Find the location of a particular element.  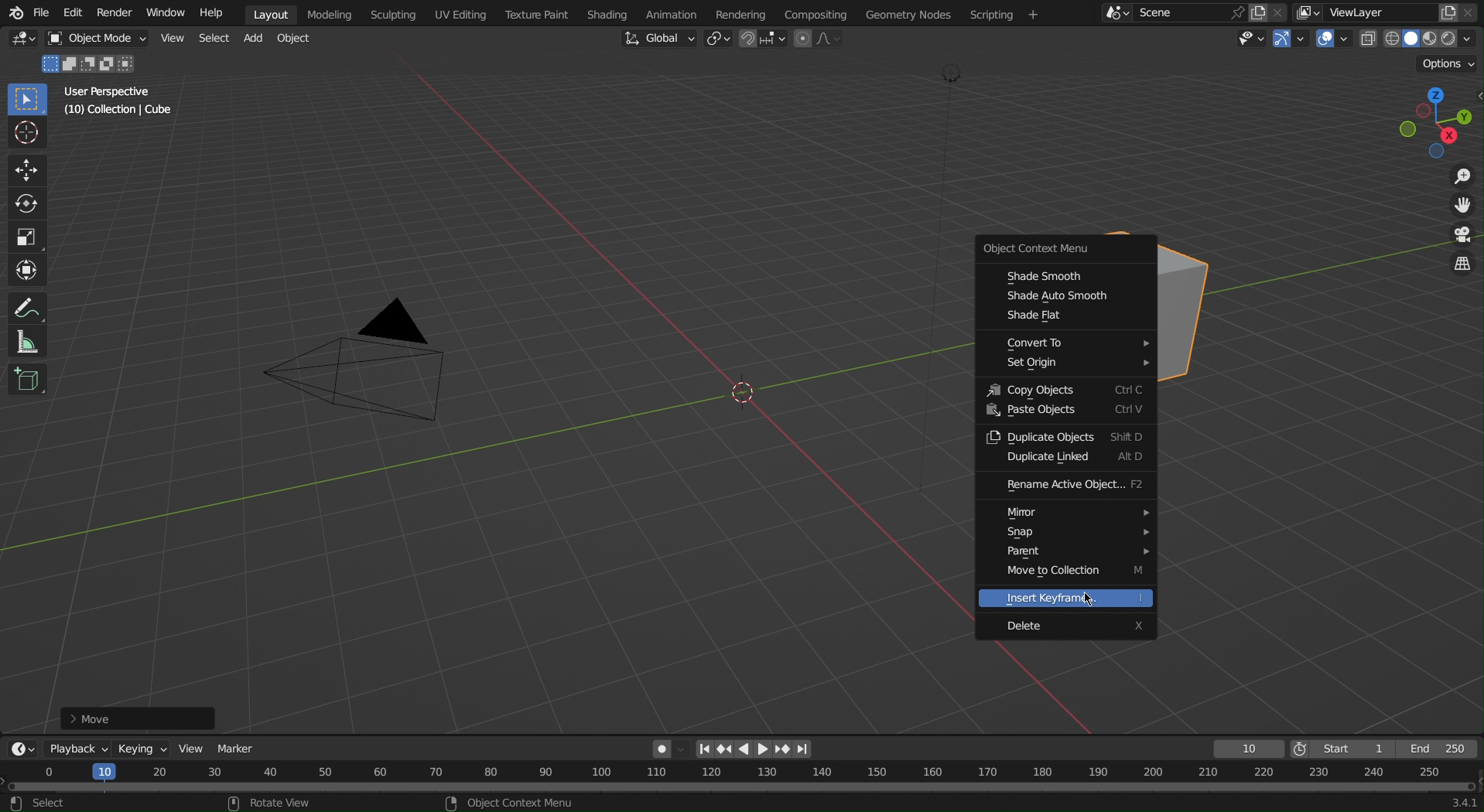

Rename Active Object is located at coordinates (1069, 486).